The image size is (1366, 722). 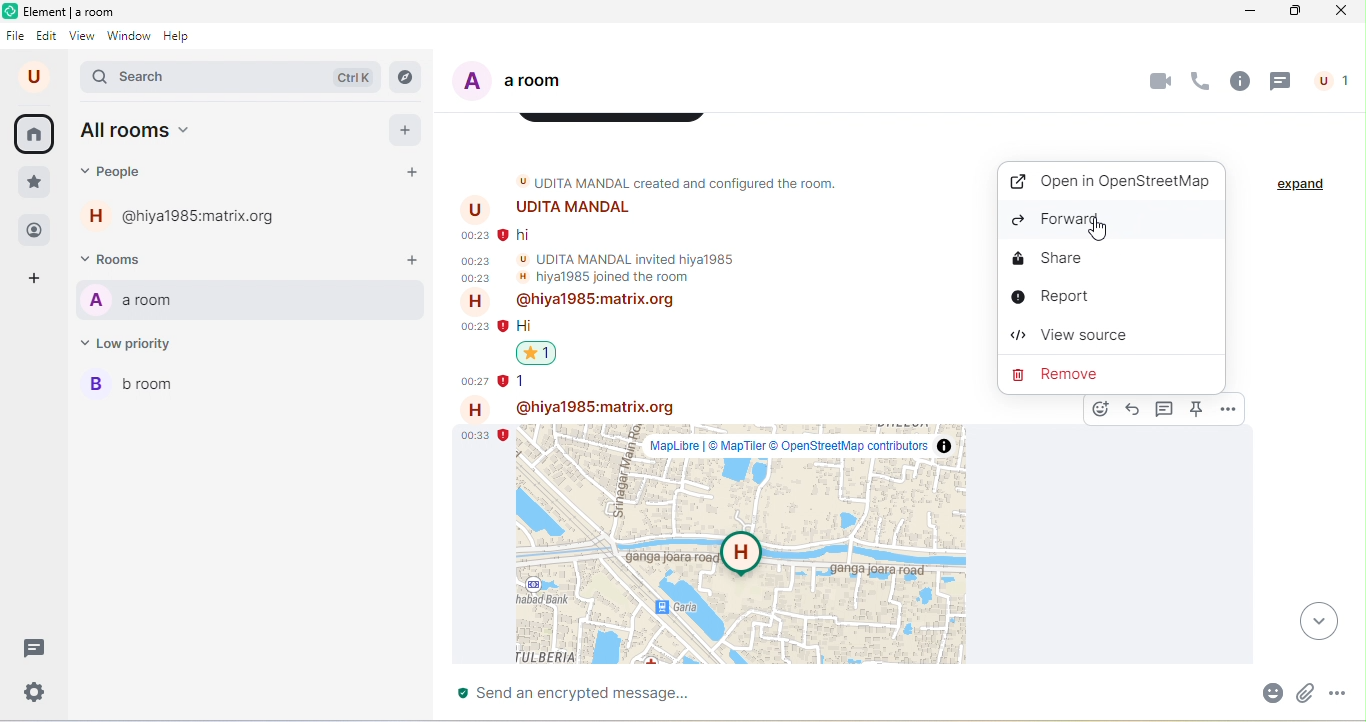 I want to click on edit, so click(x=48, y=36).